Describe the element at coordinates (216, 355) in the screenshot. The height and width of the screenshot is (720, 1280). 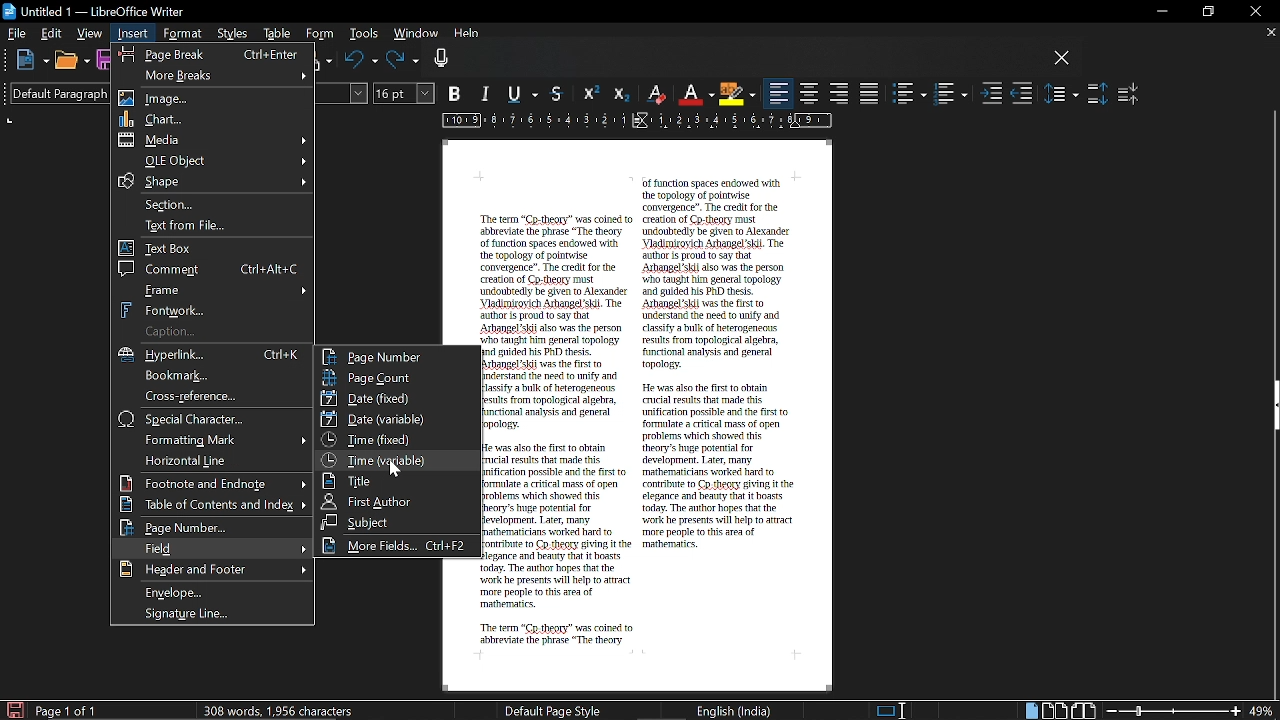
I see `Hyperlink` at that location.